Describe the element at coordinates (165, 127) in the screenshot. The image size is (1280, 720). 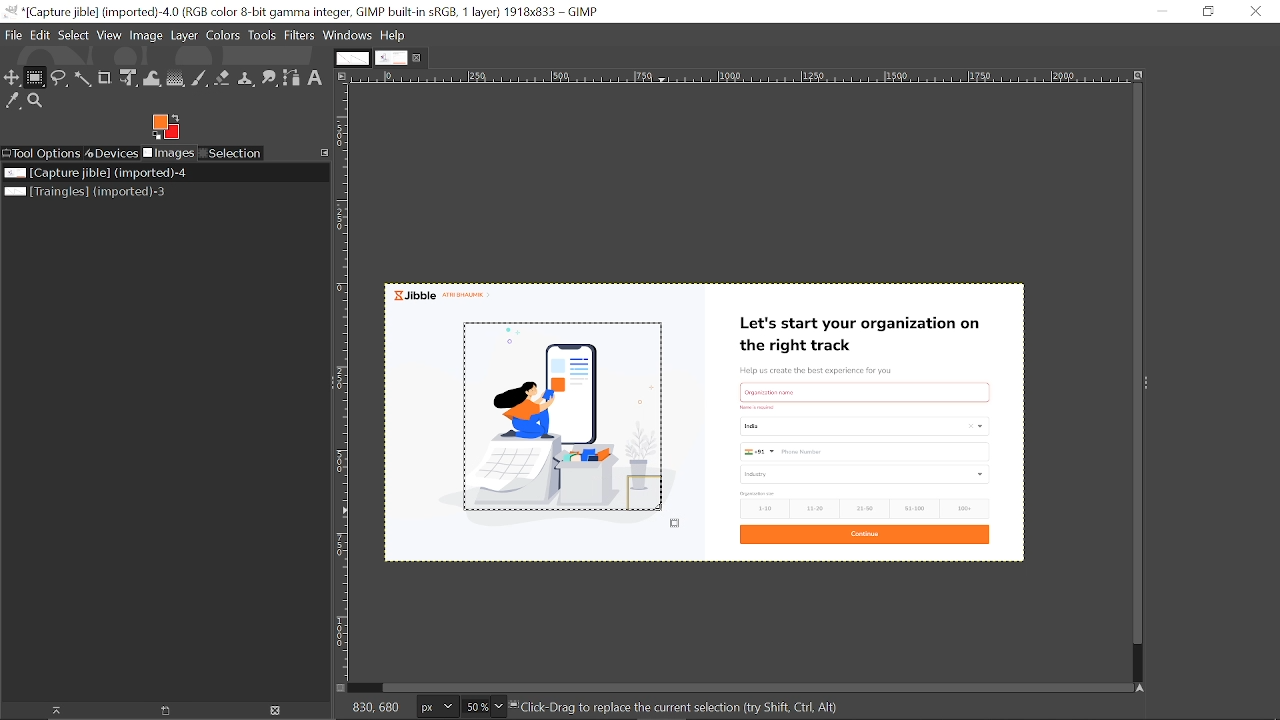
I see `The active foreground color` at that location.